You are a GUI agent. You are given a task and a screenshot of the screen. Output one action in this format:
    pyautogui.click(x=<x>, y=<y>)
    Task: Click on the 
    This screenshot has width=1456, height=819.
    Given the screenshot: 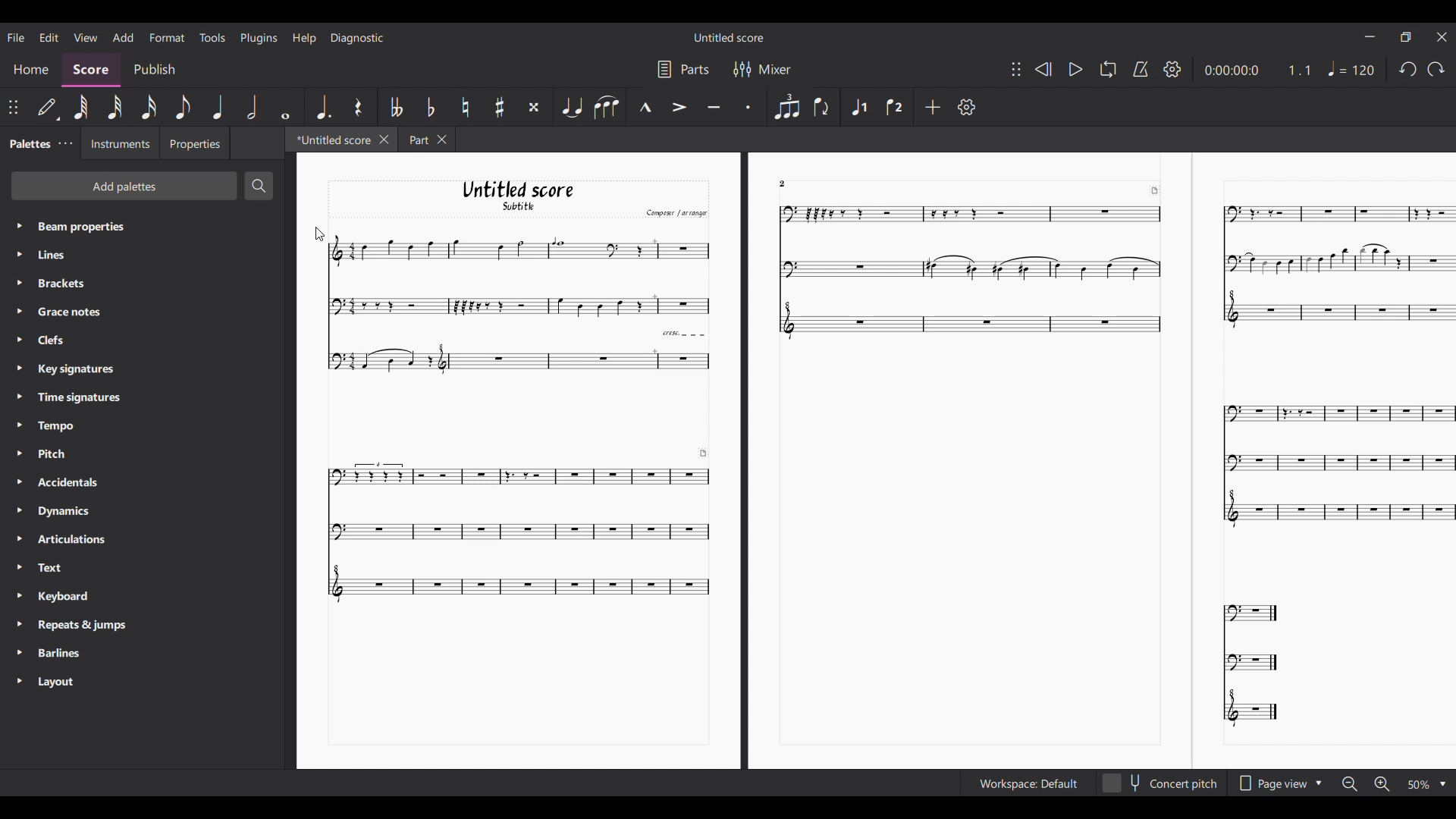 What is the action you would take?
    pyautogui.click(x=17, y=568)
    